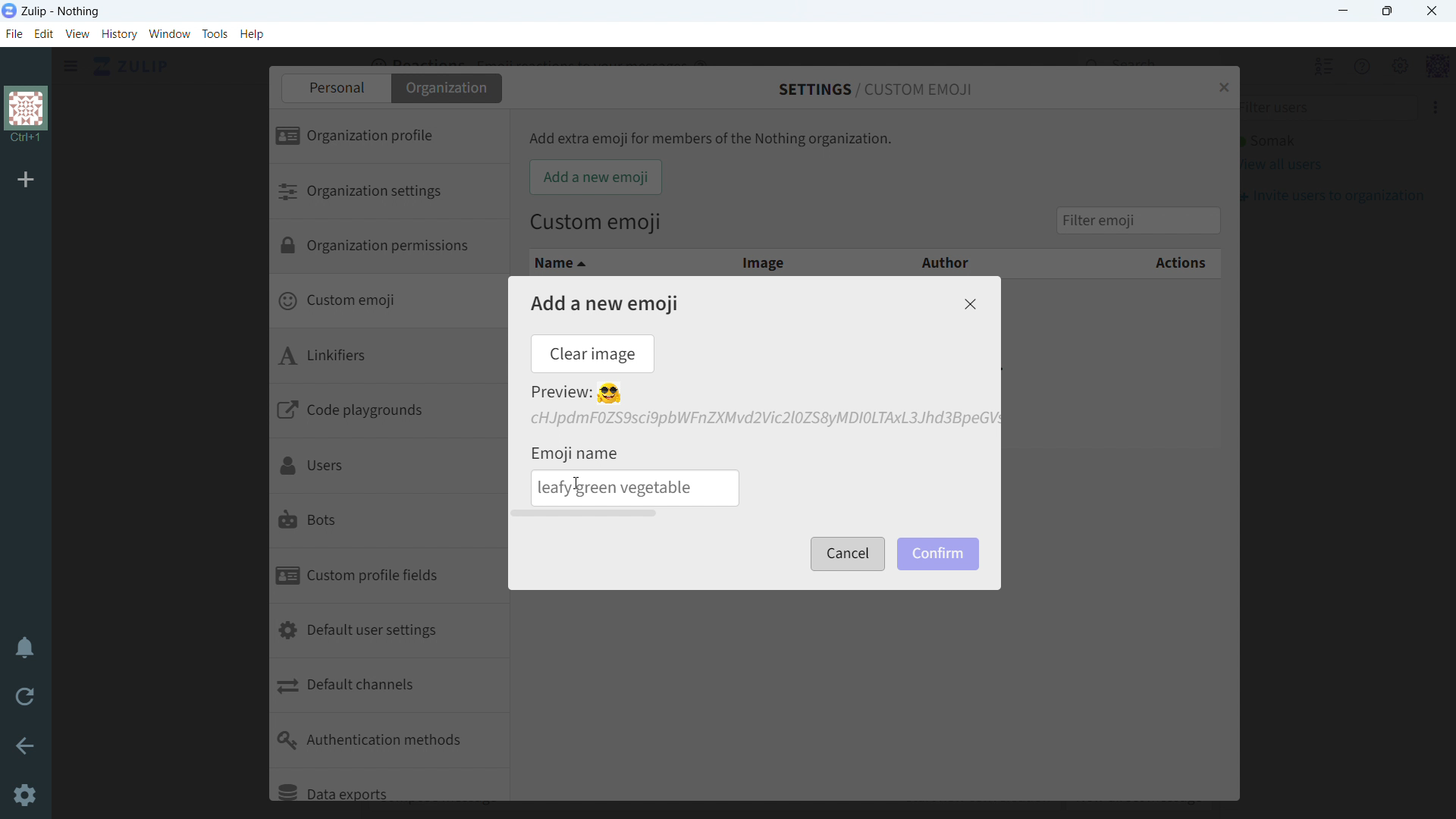 This screenshot has height=819, width=1456. Describe the element at coordinates (636, 488) in the screenshot. I see `emoji name` at that location.